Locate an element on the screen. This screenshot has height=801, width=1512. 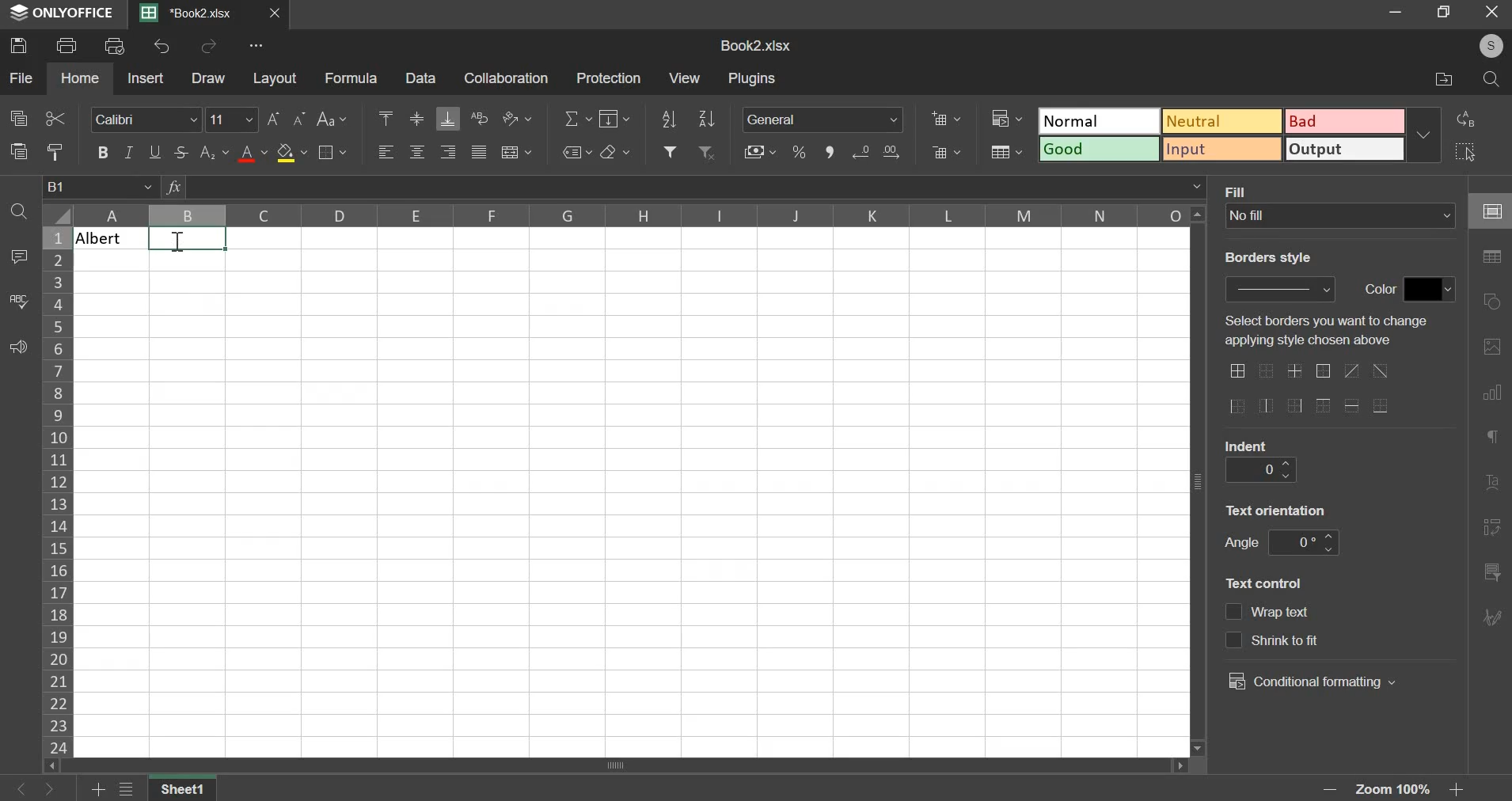
cell name is located at coordinates (101, 187).